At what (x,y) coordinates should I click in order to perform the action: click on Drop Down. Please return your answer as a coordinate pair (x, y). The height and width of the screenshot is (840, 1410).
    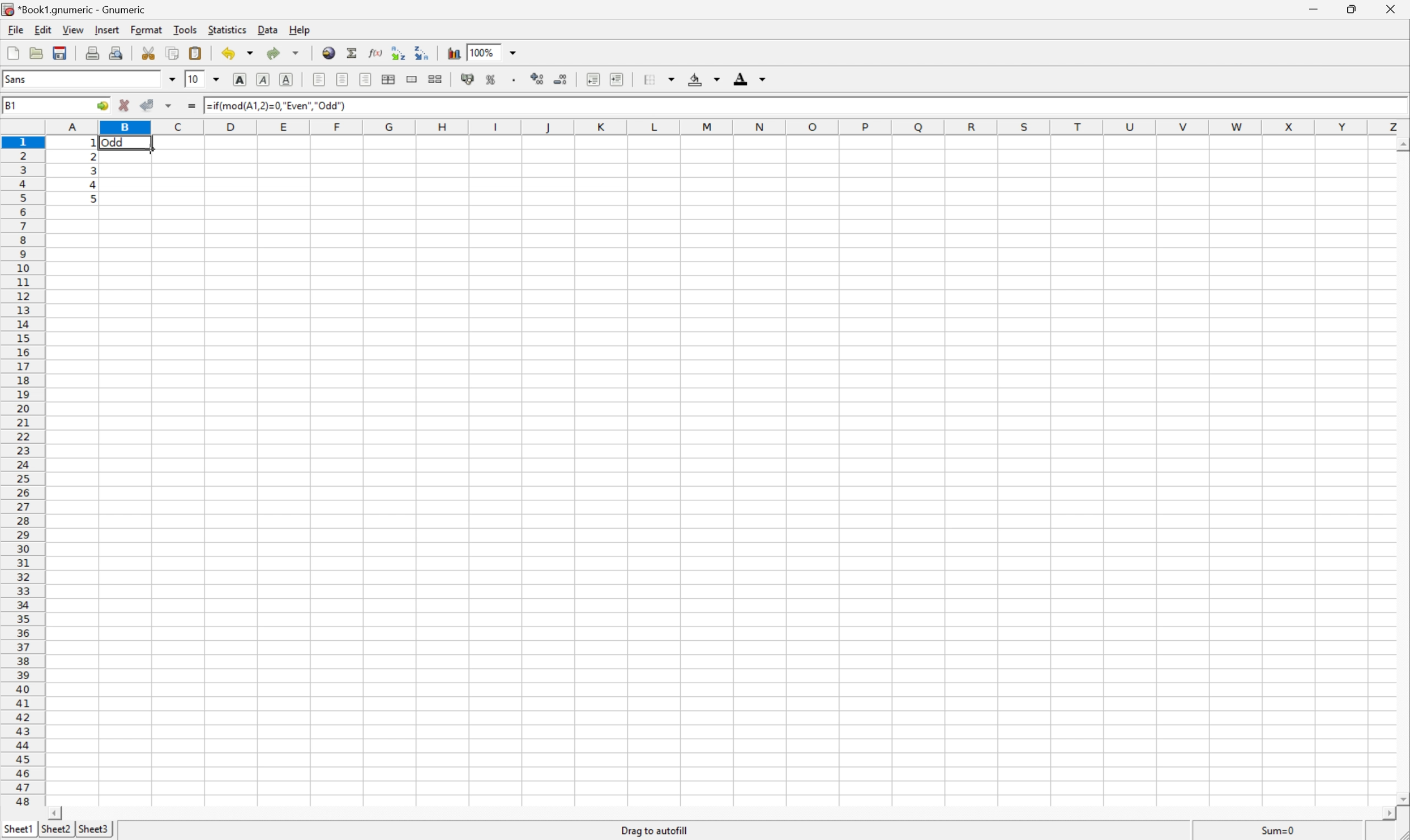
    Looking at the image, I should click on (174, 78).